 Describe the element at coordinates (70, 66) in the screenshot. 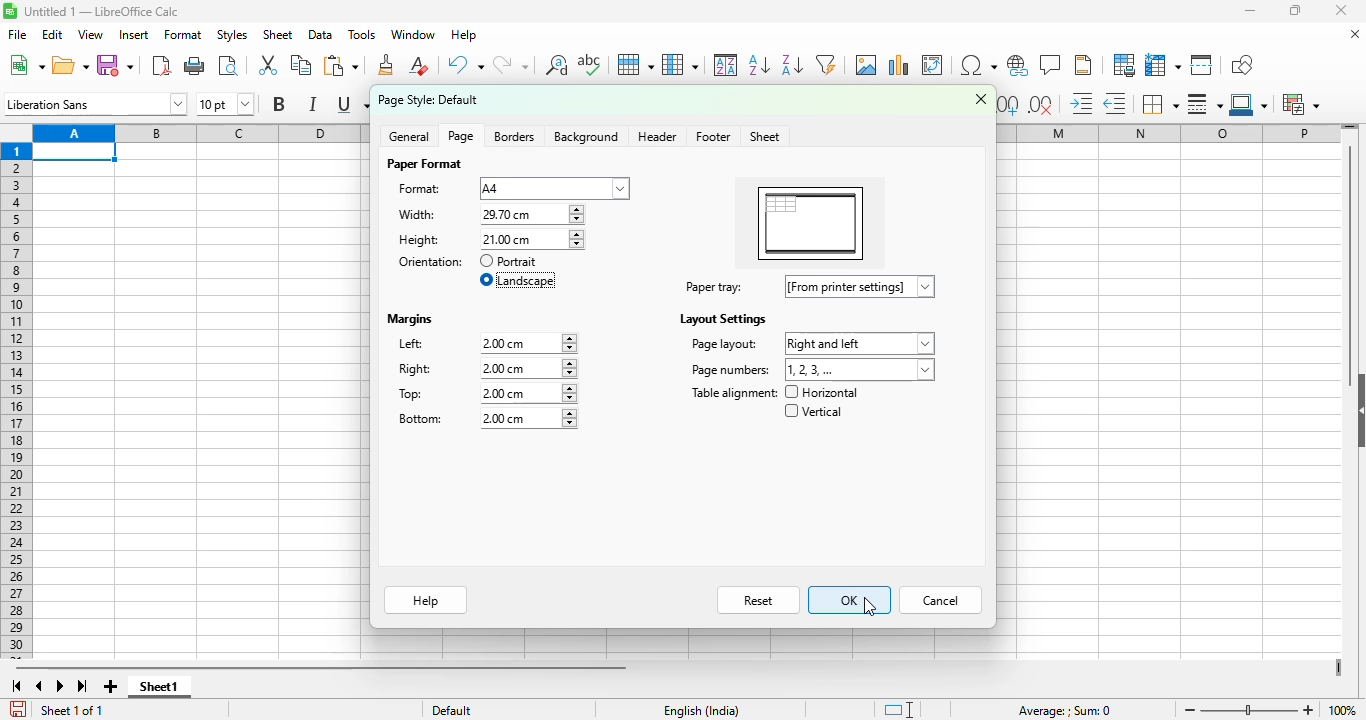

I see `open` at that location.